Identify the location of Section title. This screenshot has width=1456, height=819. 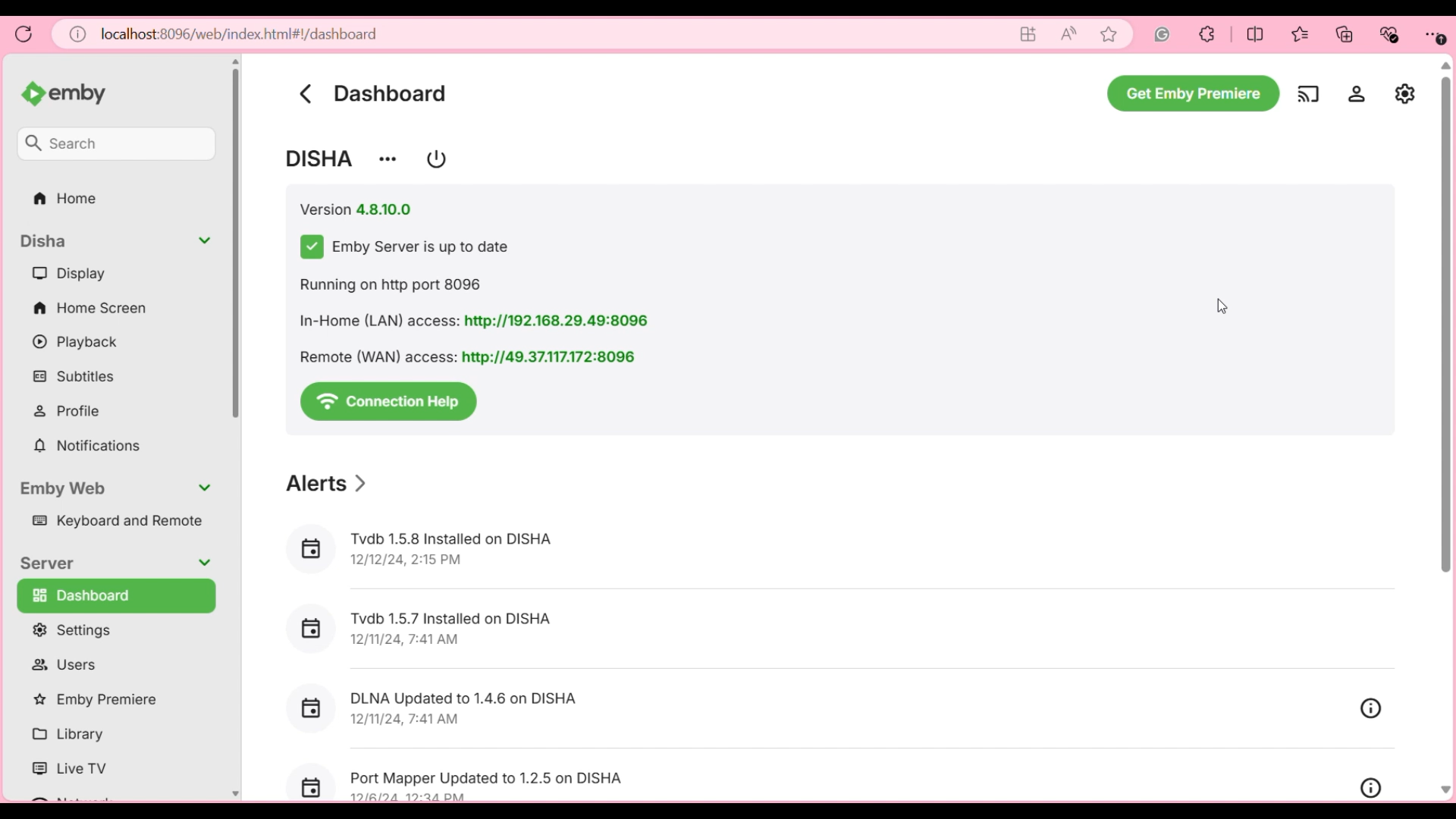
(63, 489).